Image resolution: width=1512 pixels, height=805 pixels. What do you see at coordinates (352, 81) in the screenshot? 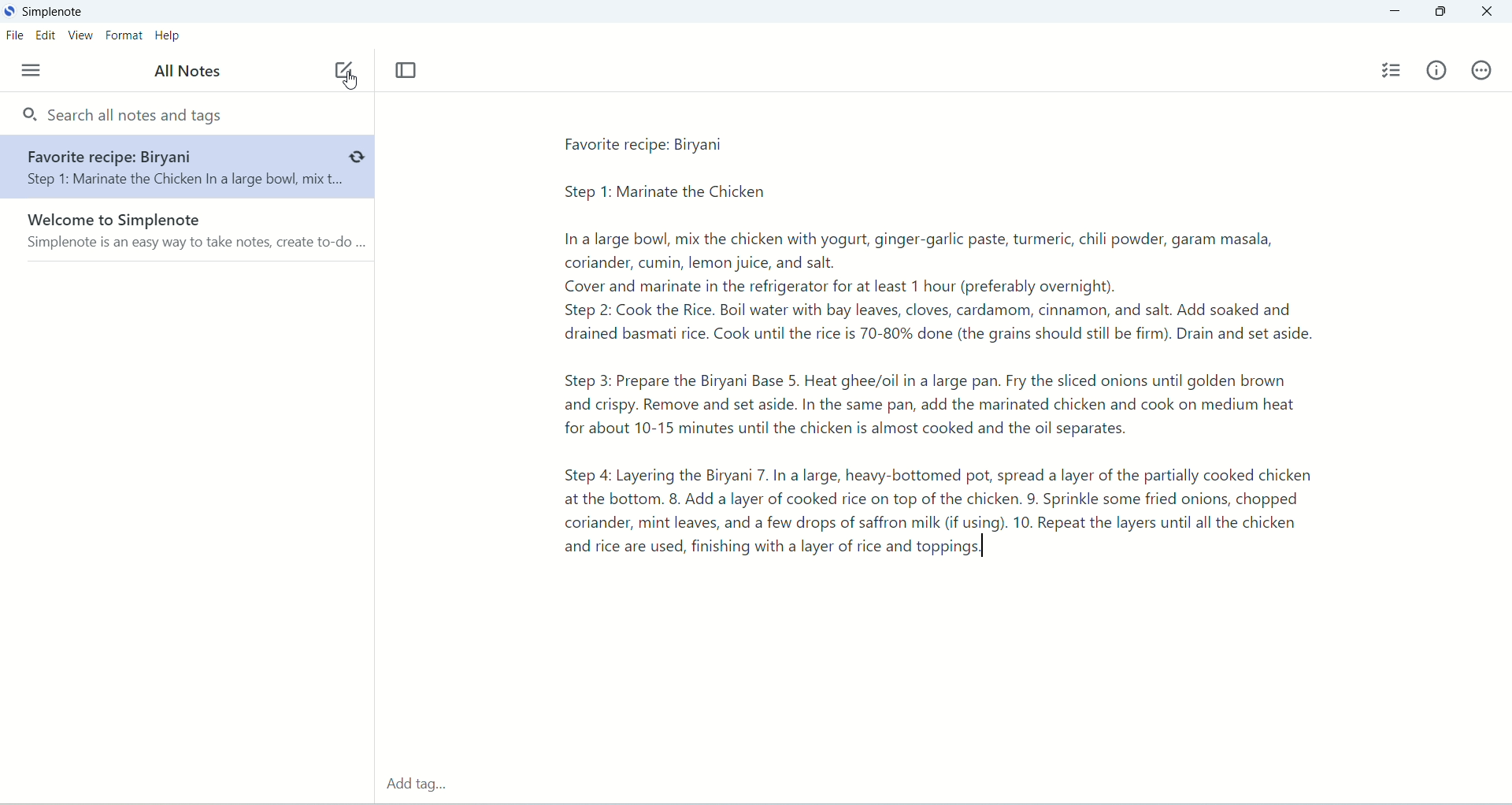
I see `cursor` at bounding box center [352, 81].